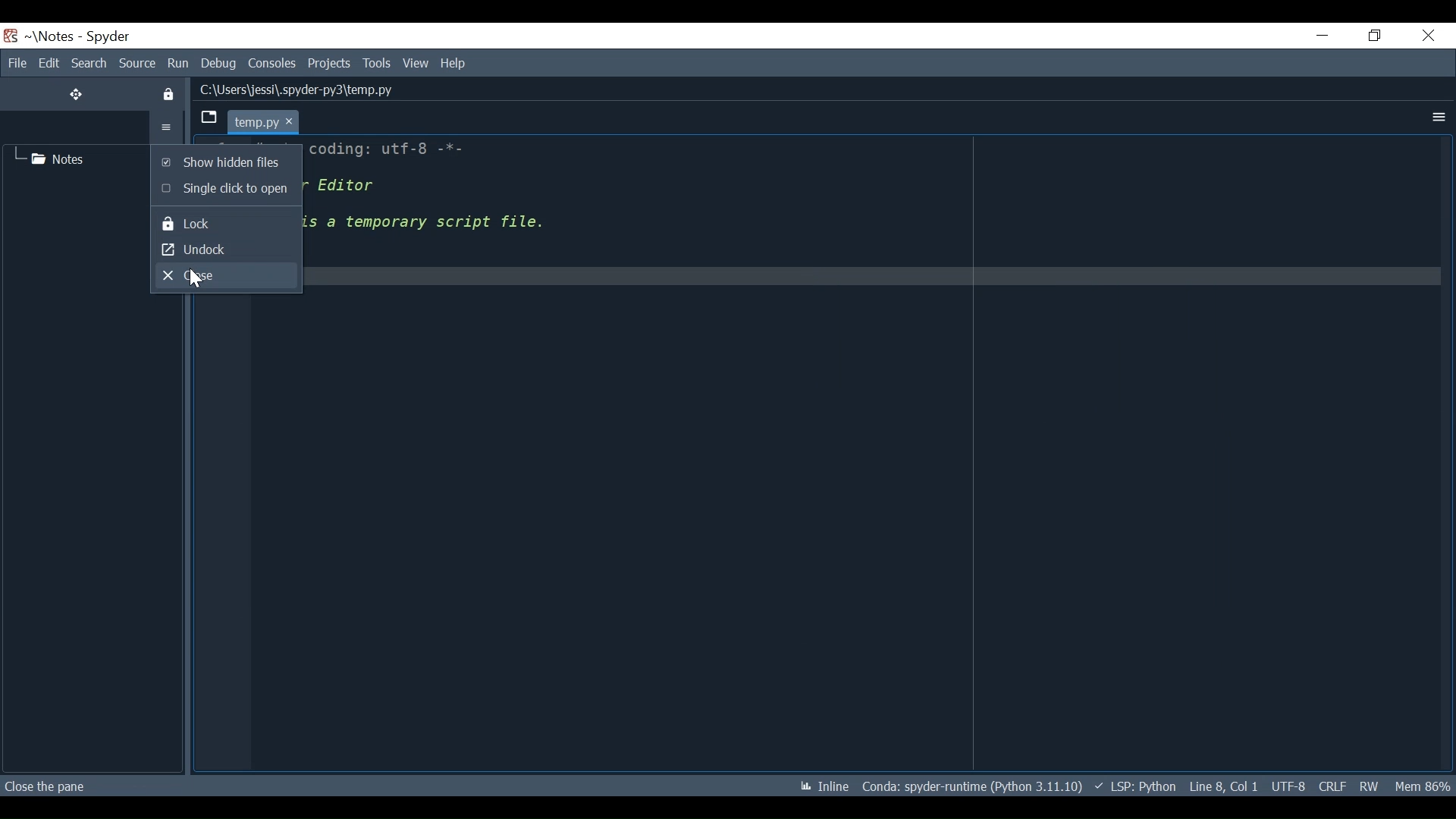  What do you see at coordinates (826, 786) in the screenshot?
I see `Toggle between inline and interactive Matplotlib plotting` at bounding box center [826, 786].